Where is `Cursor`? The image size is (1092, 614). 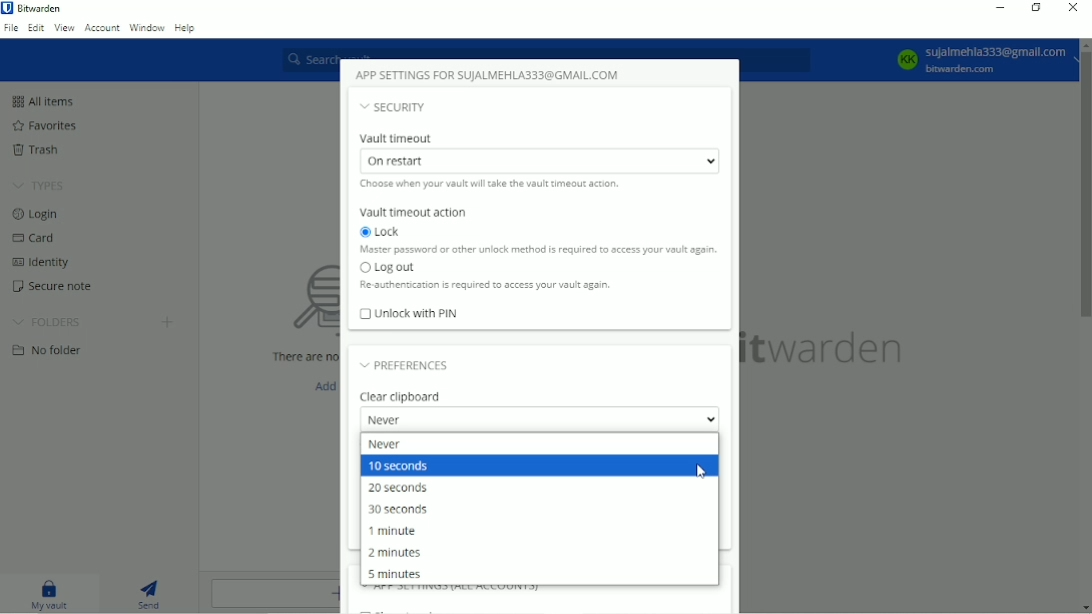 Cursor is located at coordinates (700, 471).